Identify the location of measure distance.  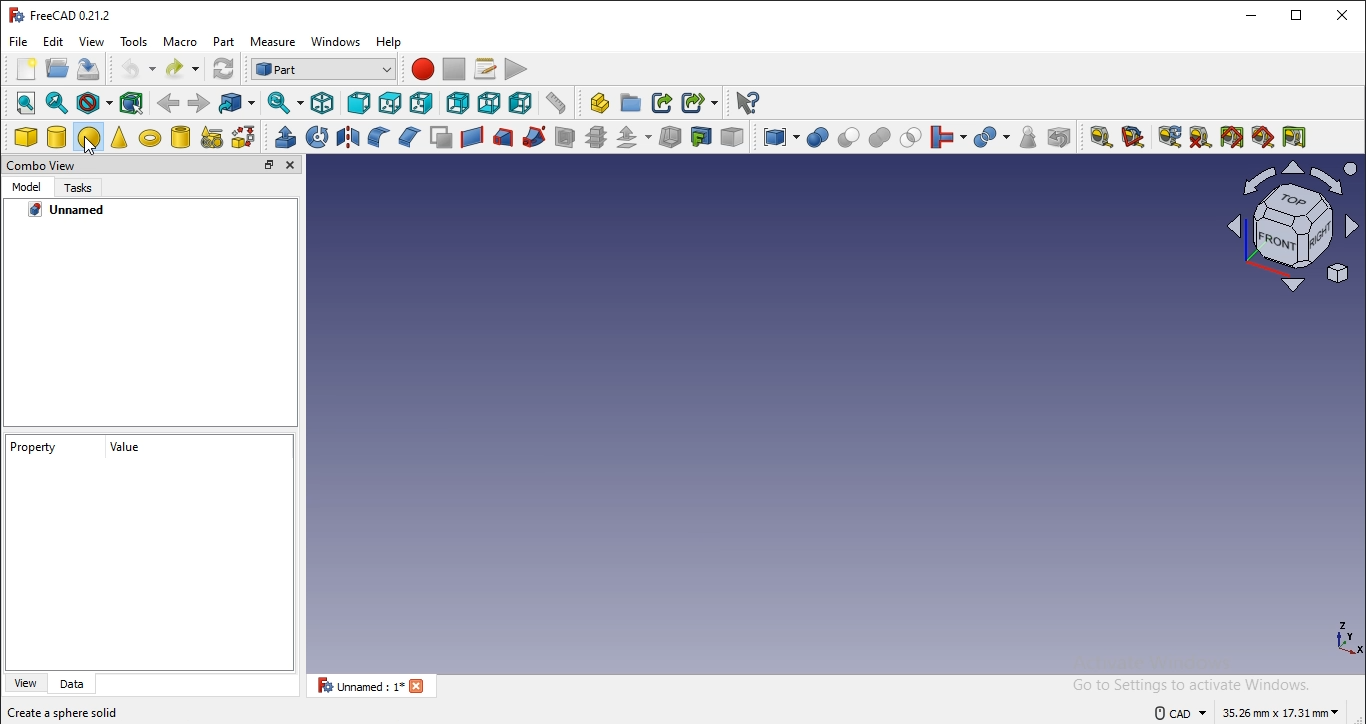
(555, 102).